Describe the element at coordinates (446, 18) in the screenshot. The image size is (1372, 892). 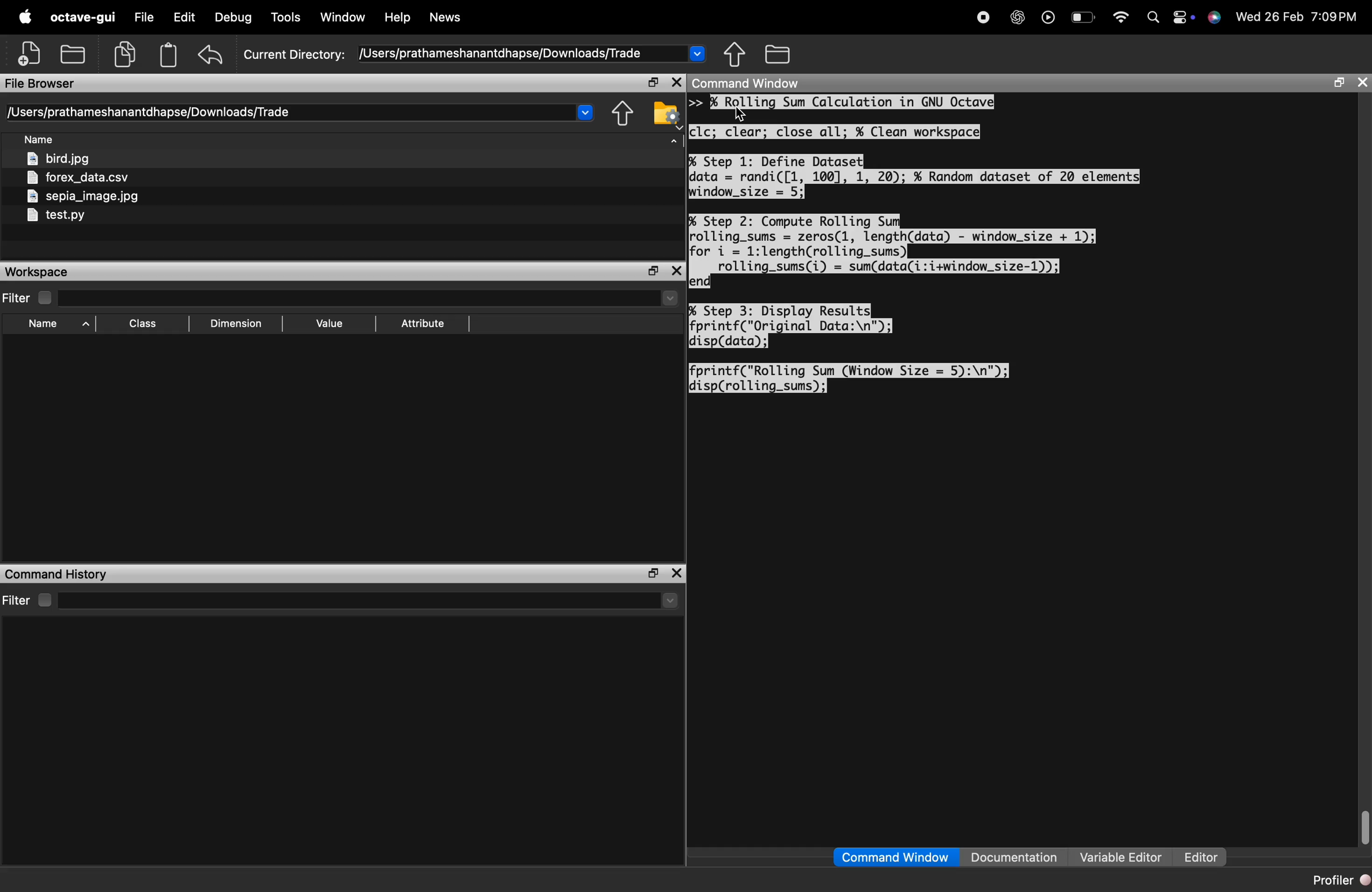
I see `news` at that location.